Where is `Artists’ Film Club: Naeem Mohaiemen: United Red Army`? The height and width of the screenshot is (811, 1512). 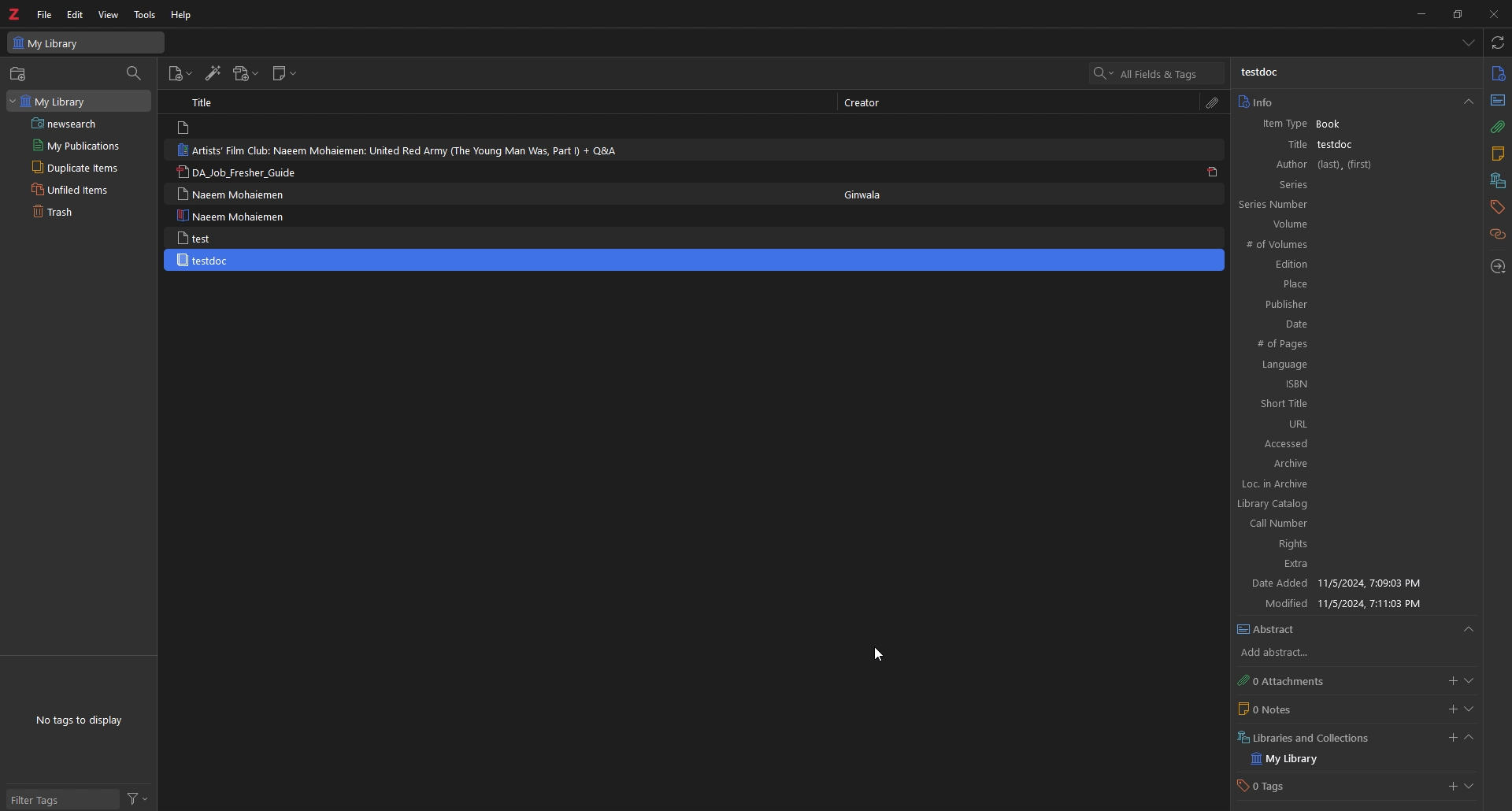 Artists’ Film Club: Naeem Mohaiemen: United Red Army is located at coordinates (409, 150).